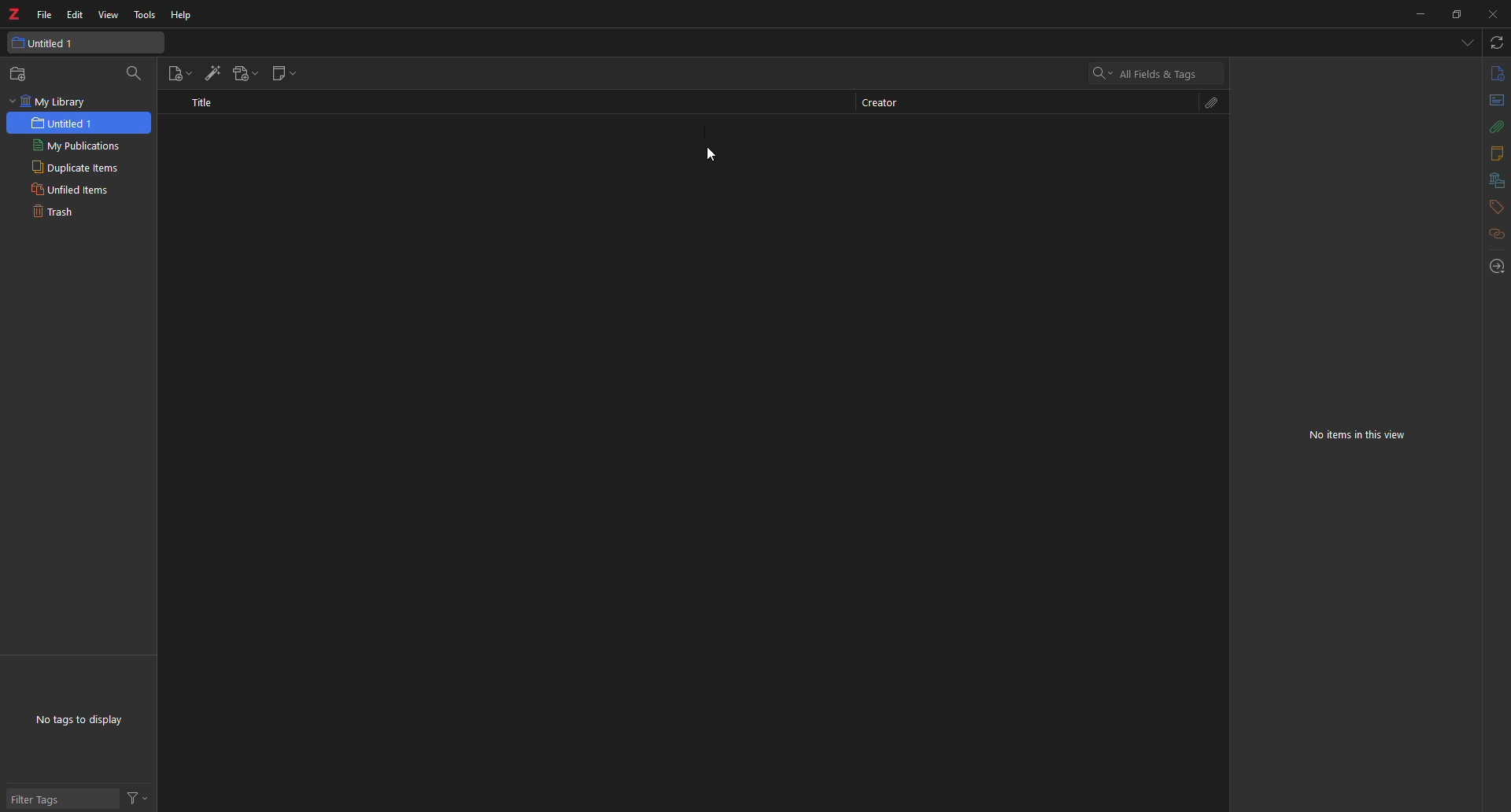 The height and width of the screenshot is (812, 1511). Describe the element at coordinates (79, 213) in the screenshot. I see `trash` at that location.